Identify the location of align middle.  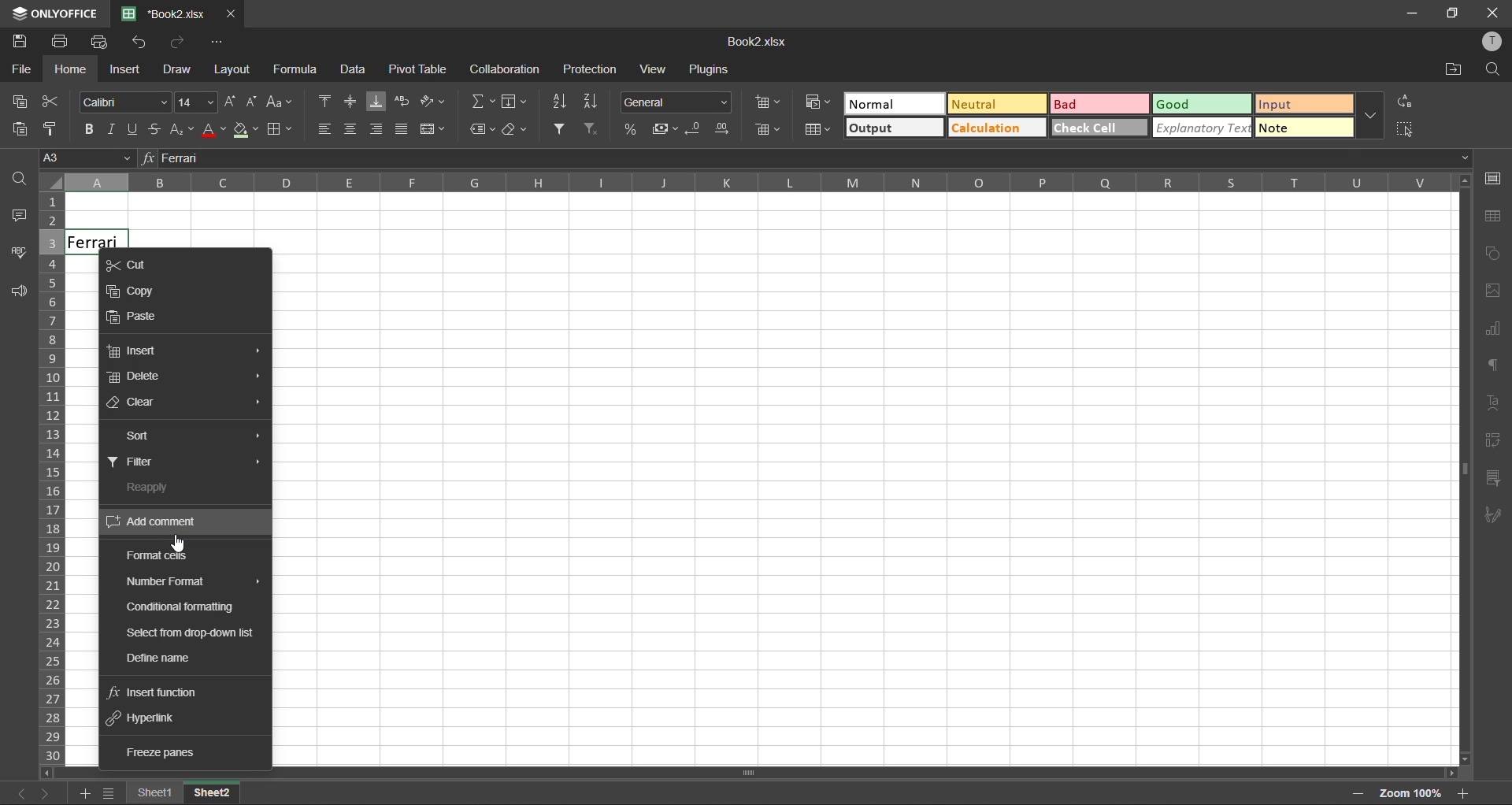
(347, 102).